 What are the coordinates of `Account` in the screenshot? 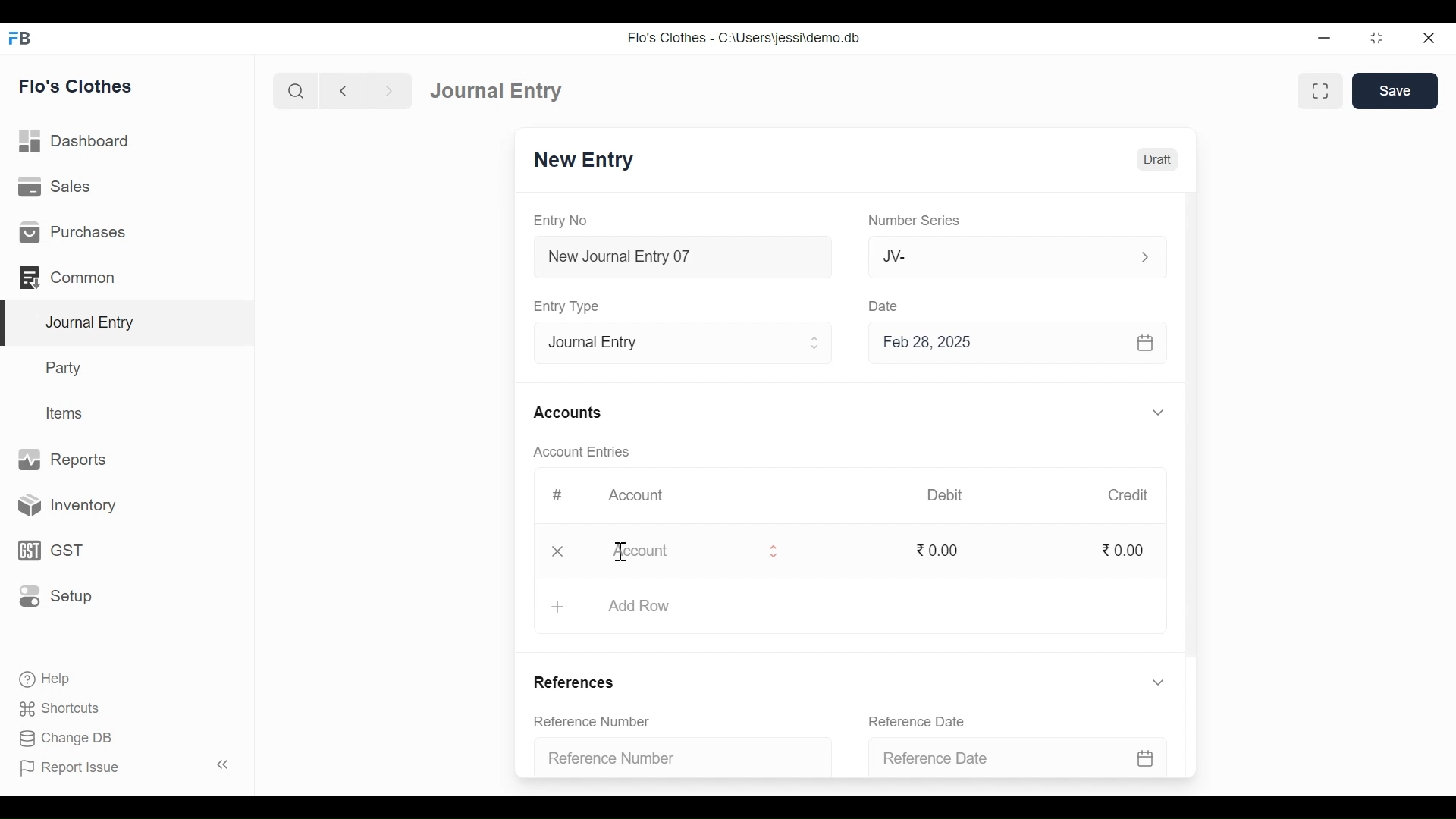 It's located at (635, 493).